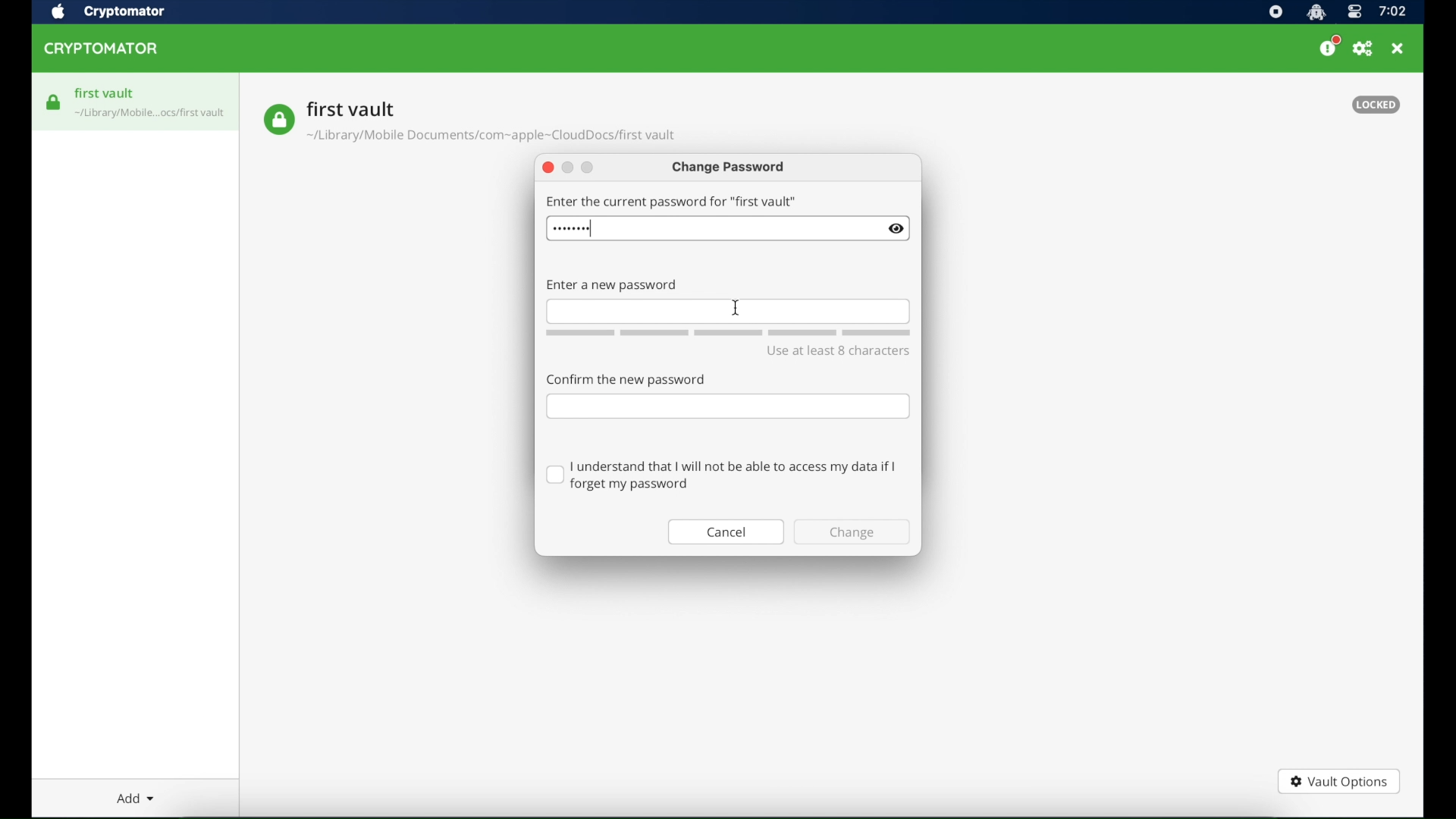 The image size is (1456, 819). What do you see at coordinates (726, 532) in the screenshot?
I see `cancel` at bounding box center [726, 532].